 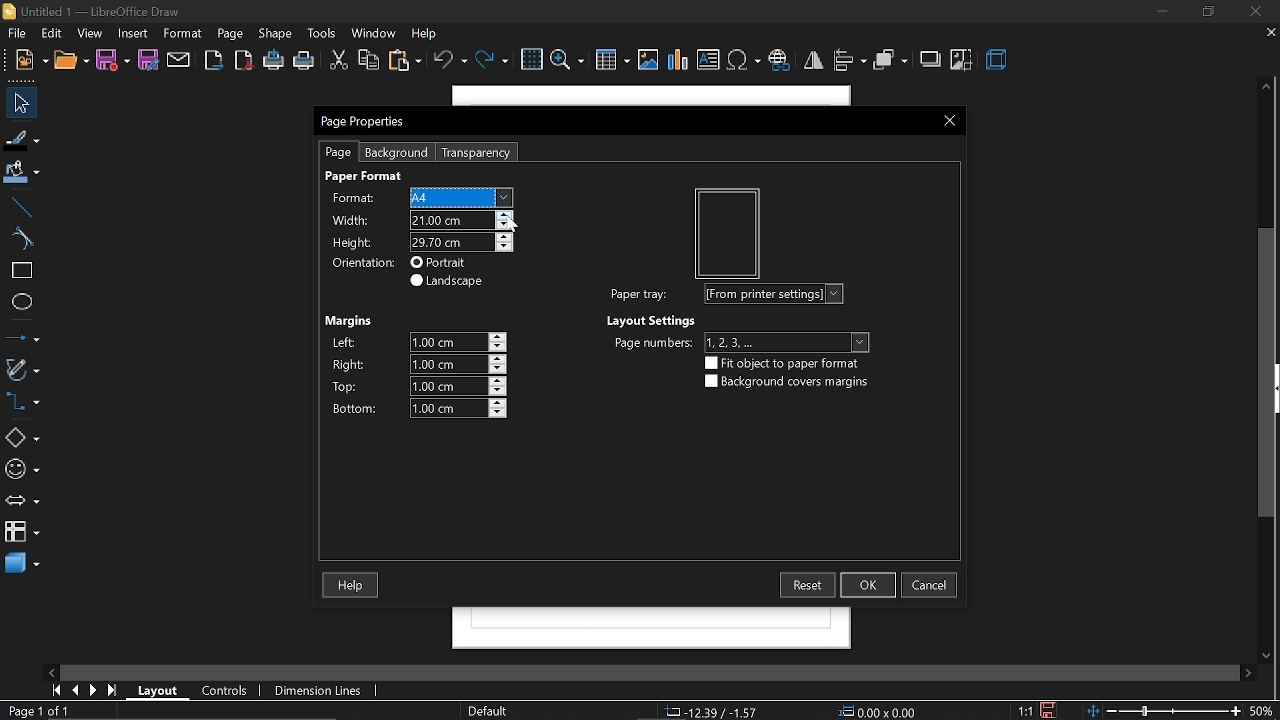 What do you see at coordinates (438, 262) in the screenshot?
I see `portrait` at bounding box center [438, 262].